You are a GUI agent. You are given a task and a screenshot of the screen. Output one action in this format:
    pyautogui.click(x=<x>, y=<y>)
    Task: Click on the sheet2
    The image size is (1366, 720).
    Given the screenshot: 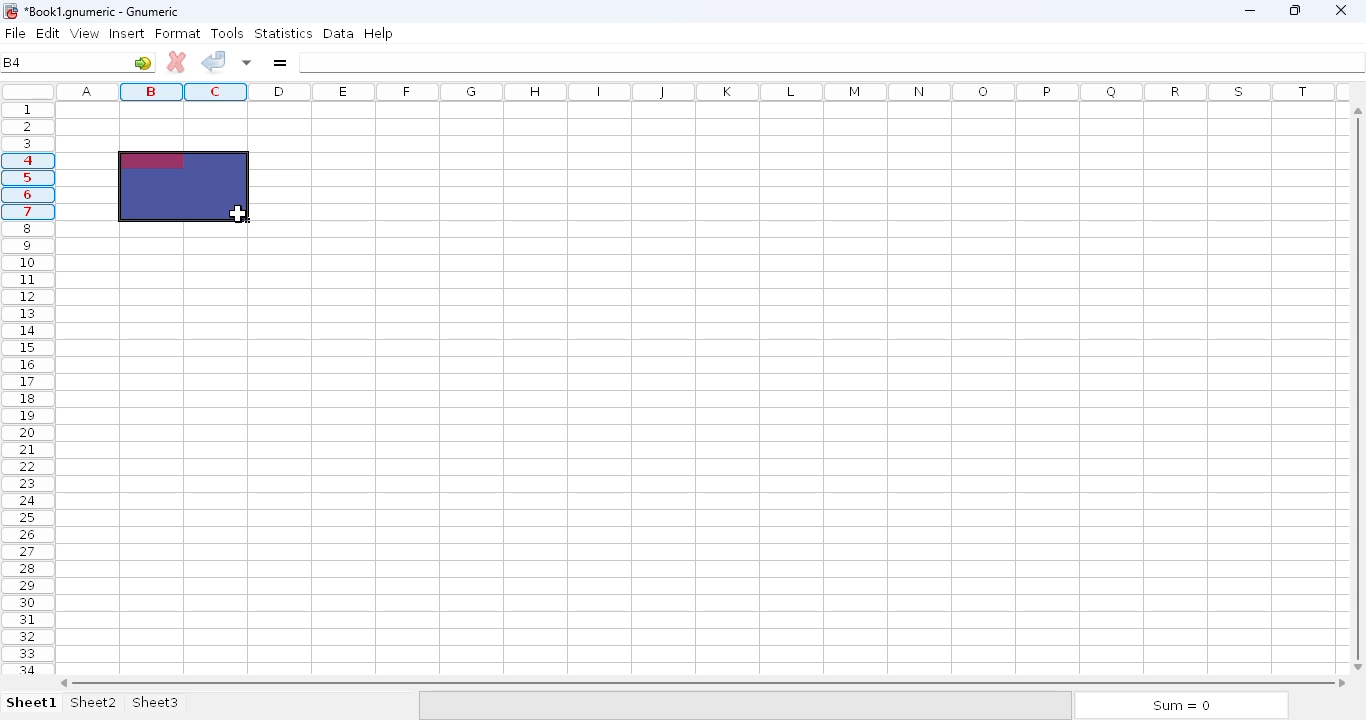 What is the action you would take?
    pyautogui.click(x=93, y=703)
    